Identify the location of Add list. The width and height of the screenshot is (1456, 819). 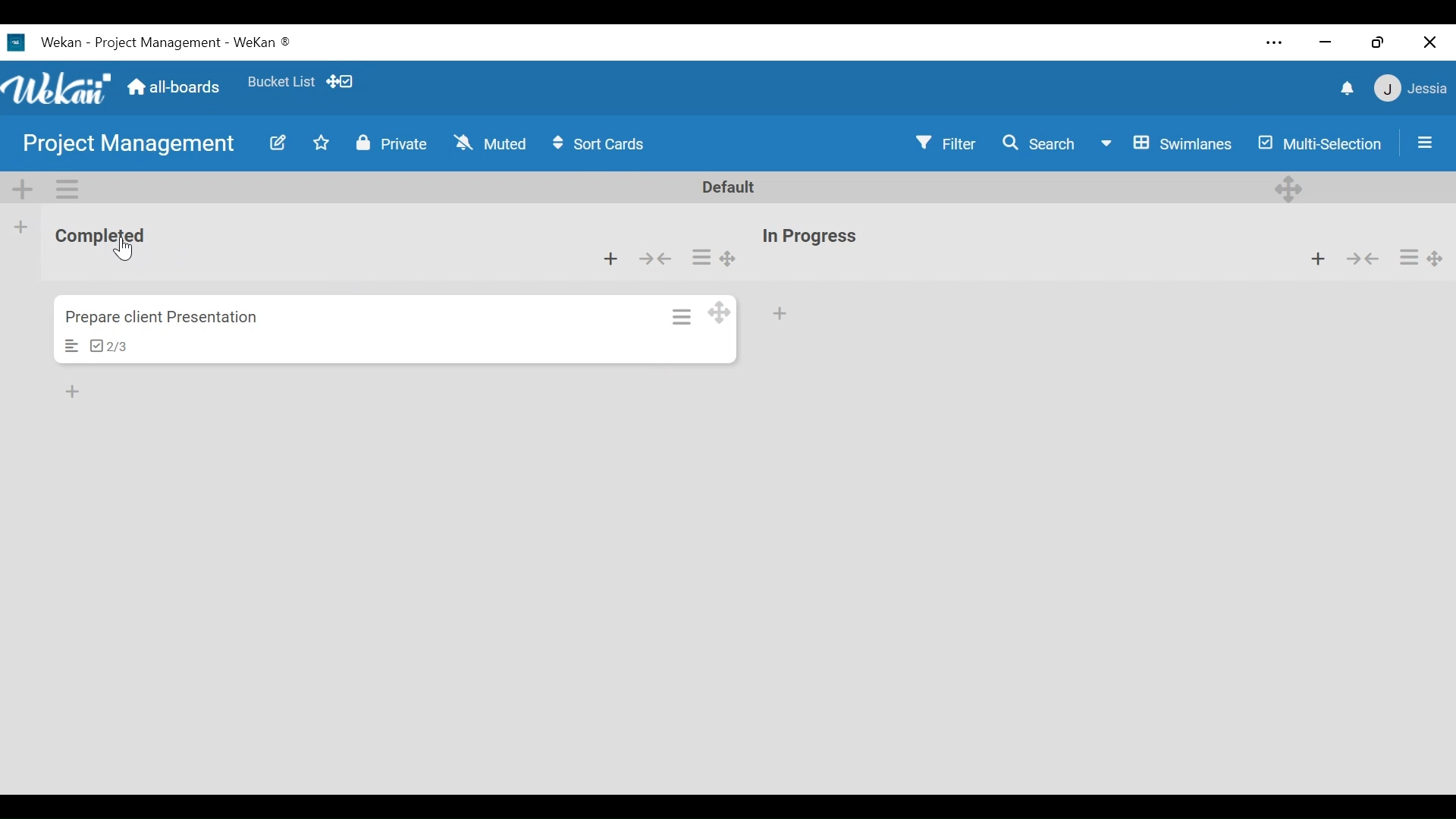
(20, 227).